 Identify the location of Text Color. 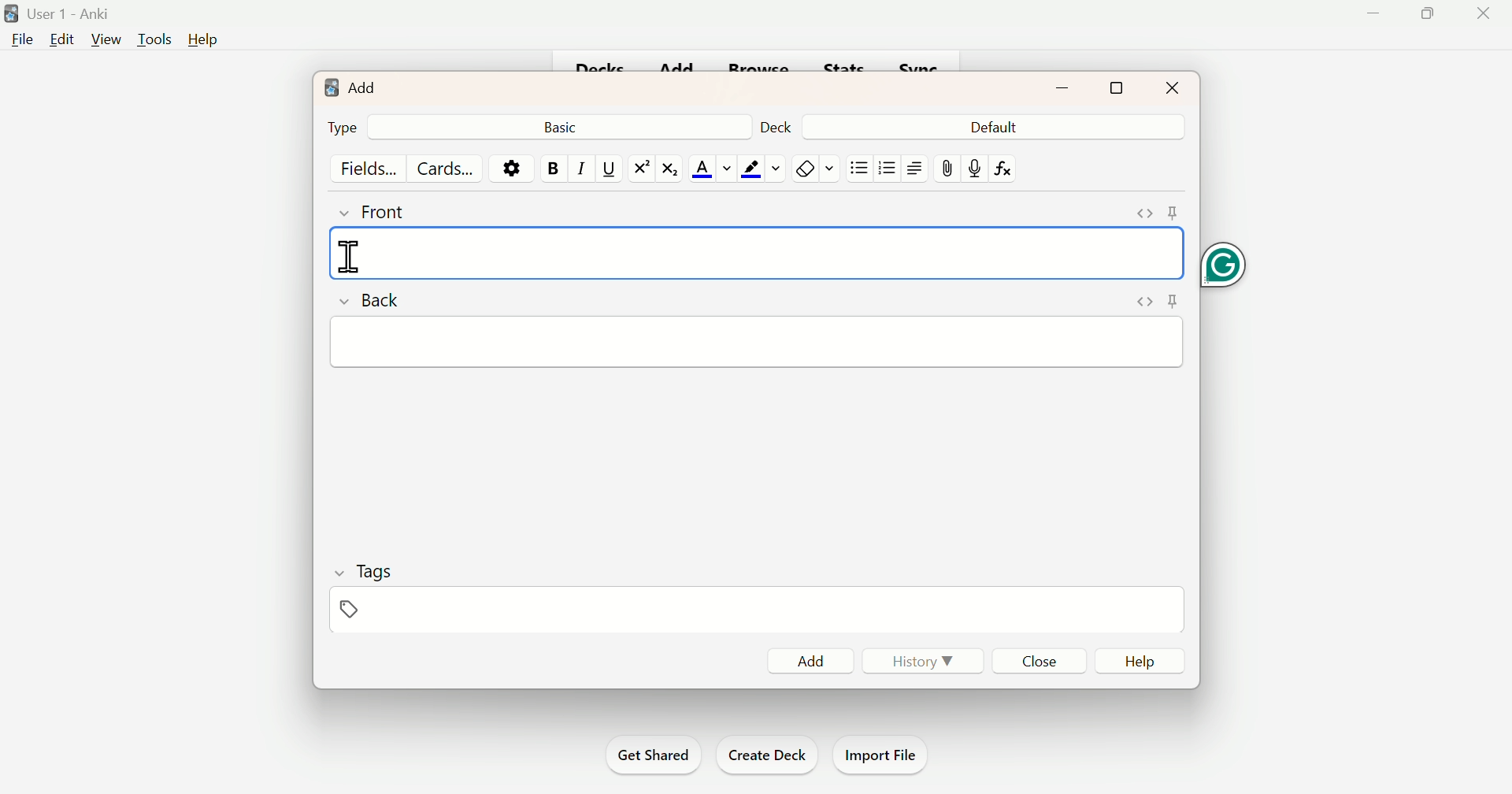
(713, 165).